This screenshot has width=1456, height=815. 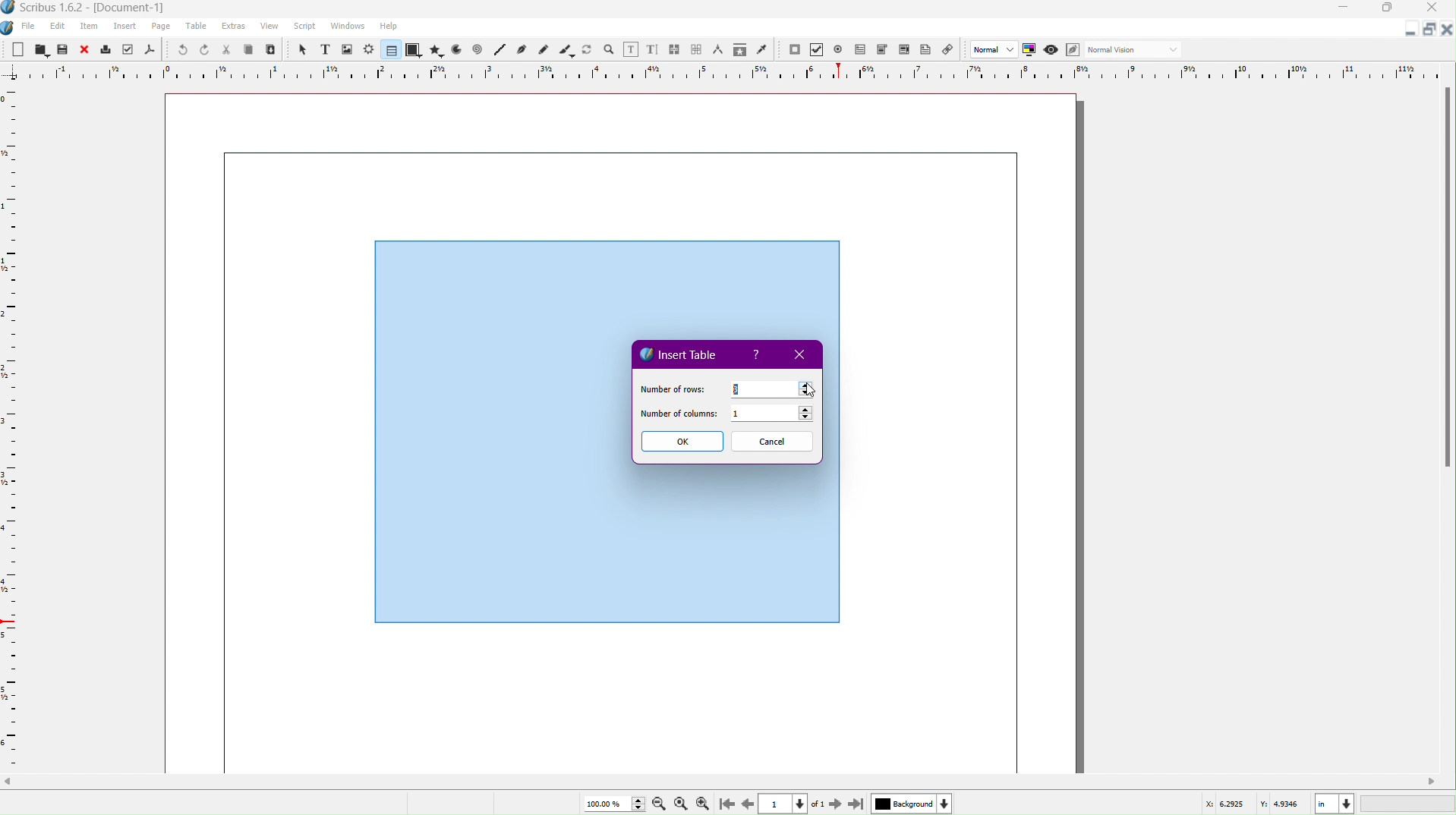 I want to click on File, so click(x=27, y=27).